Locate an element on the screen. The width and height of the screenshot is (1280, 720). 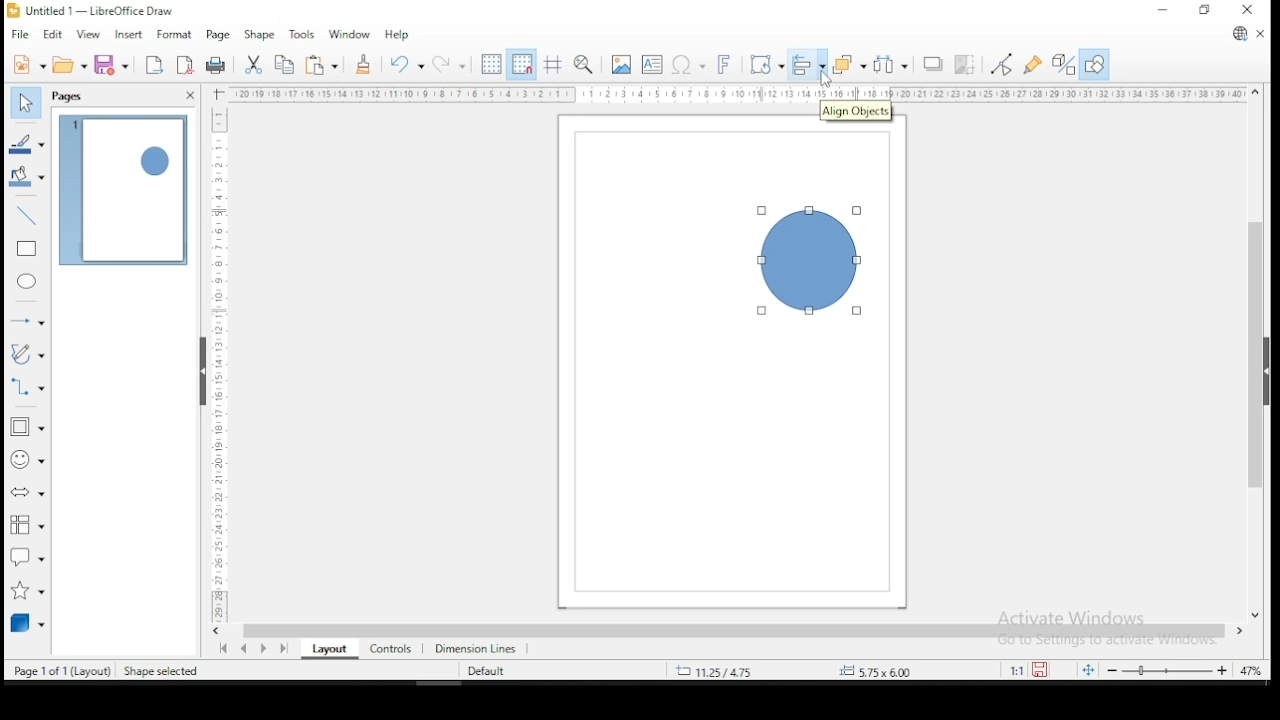
align objects is located at coordinates (854, 110).